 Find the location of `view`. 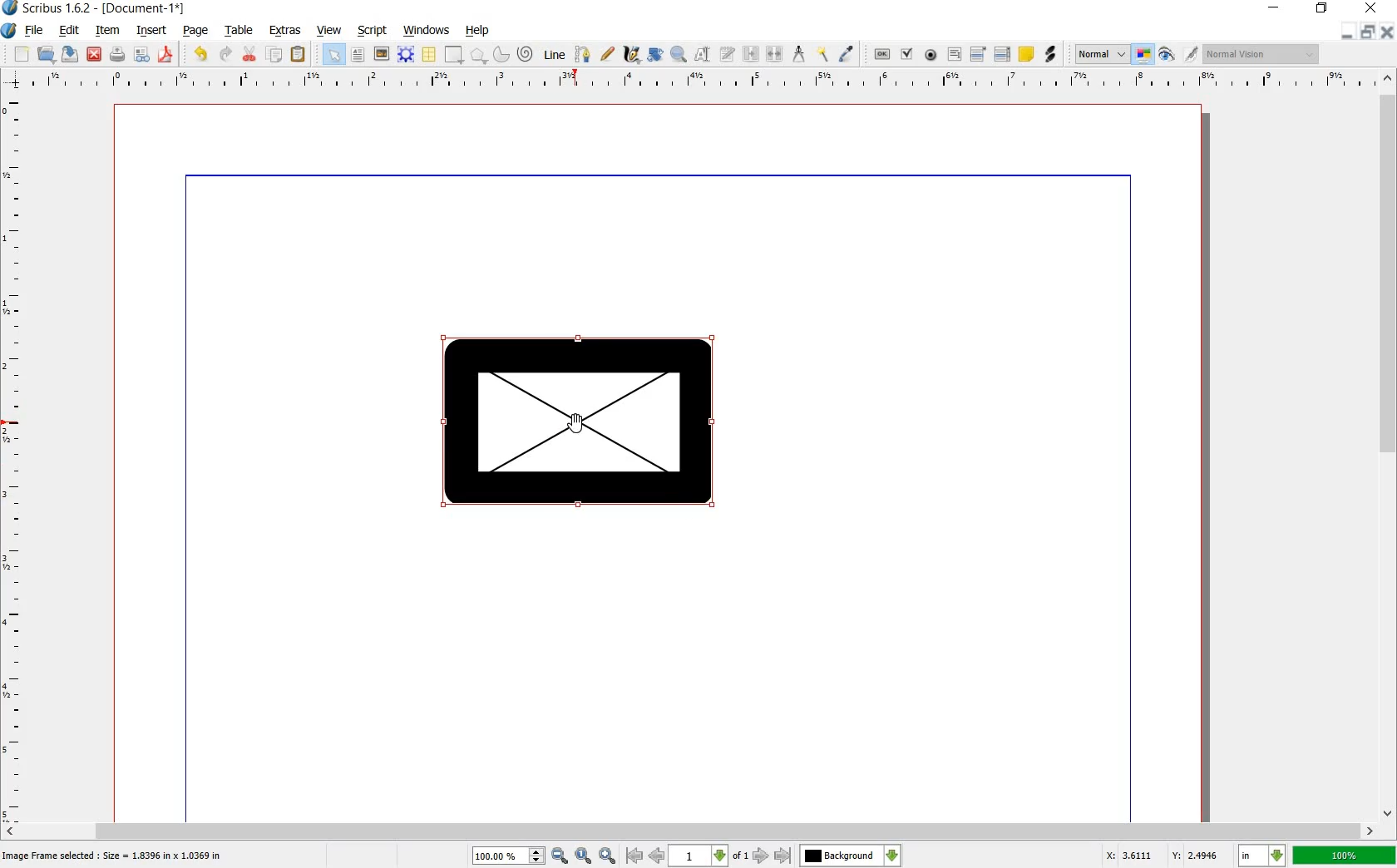

view is located at coordinates (329, 32).